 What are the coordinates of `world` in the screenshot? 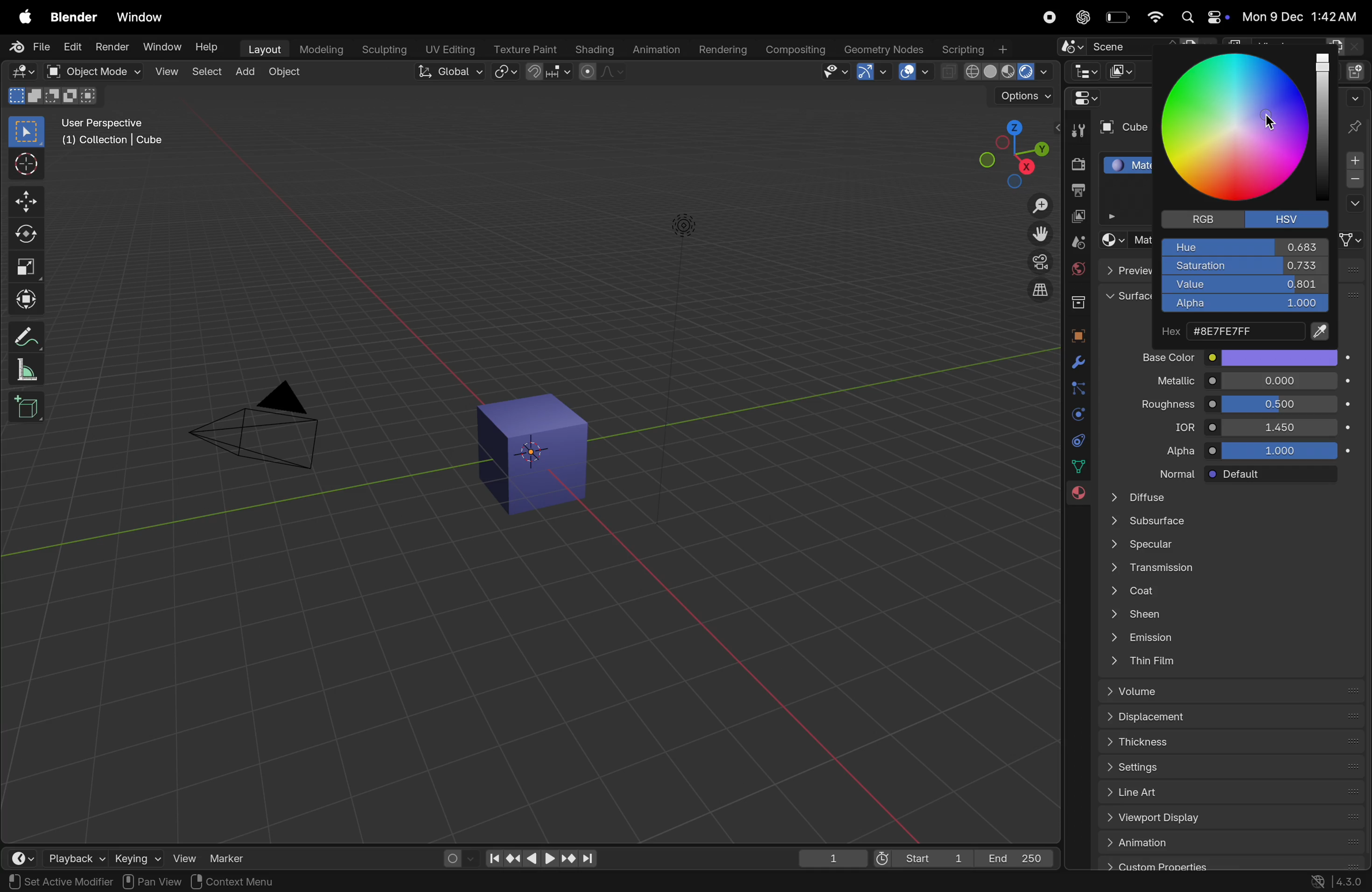 It's located at (1076, 269).